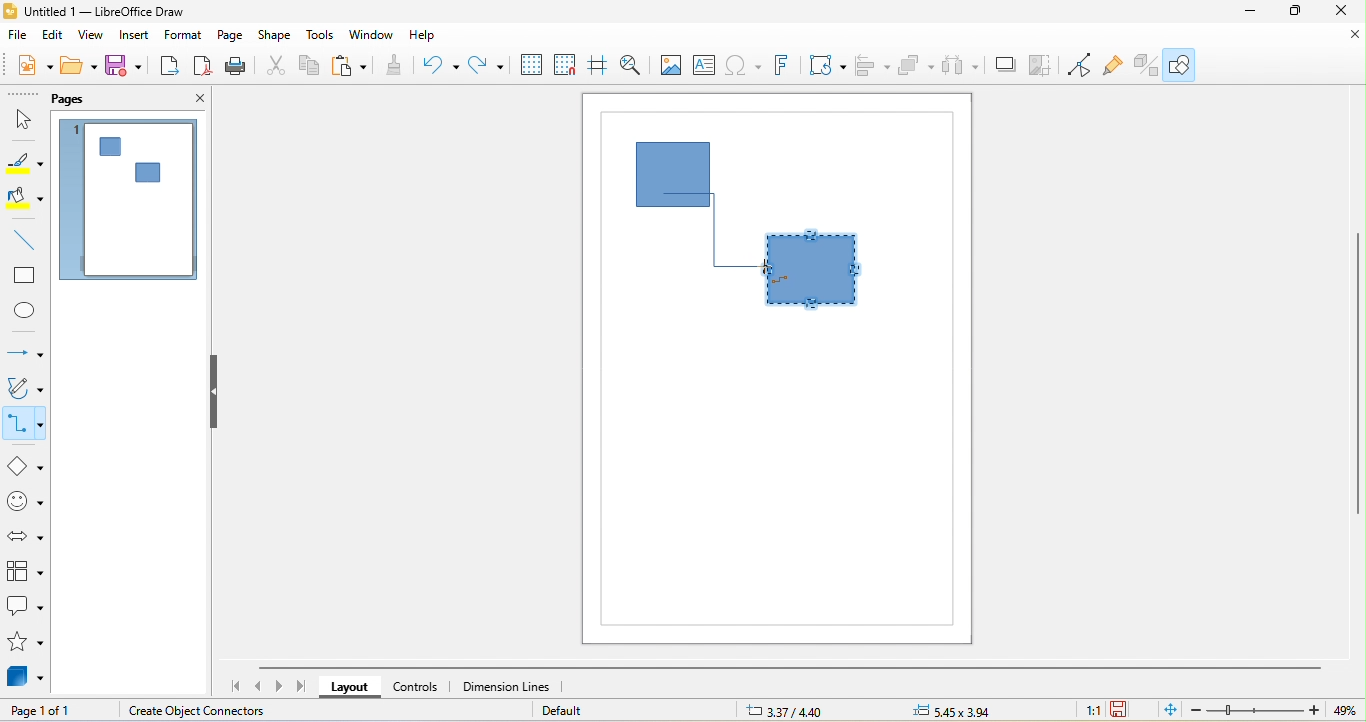  What do you see at coordinates (356, 688) in the screenshot?
I see `layout` at bounding box center [356, 688].